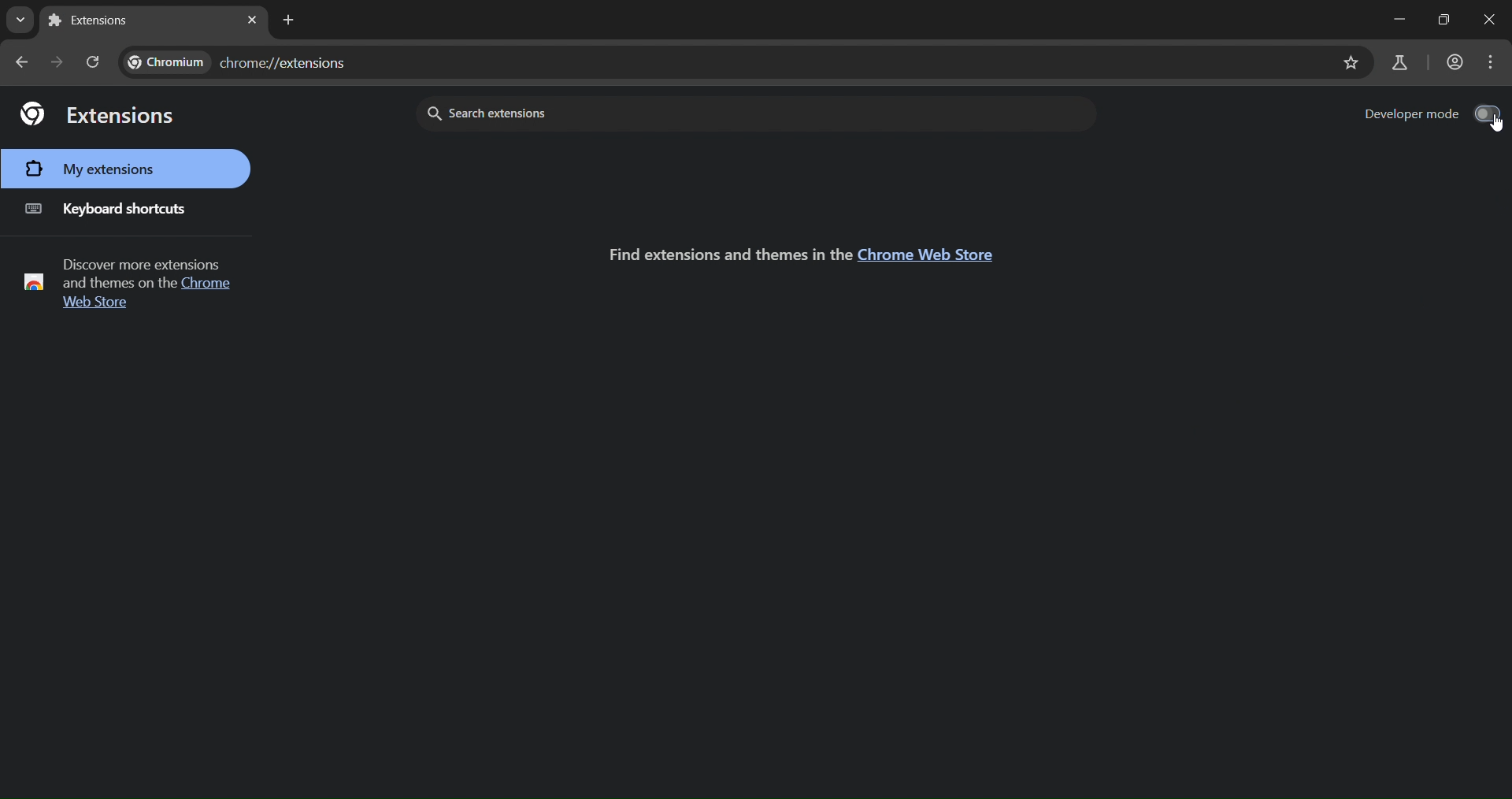 Image resolution: width=1512 pixels, height=799 pixels. Describe the element at coordinates (23, 63) in the screenshot. I see `go back one page` at that location.